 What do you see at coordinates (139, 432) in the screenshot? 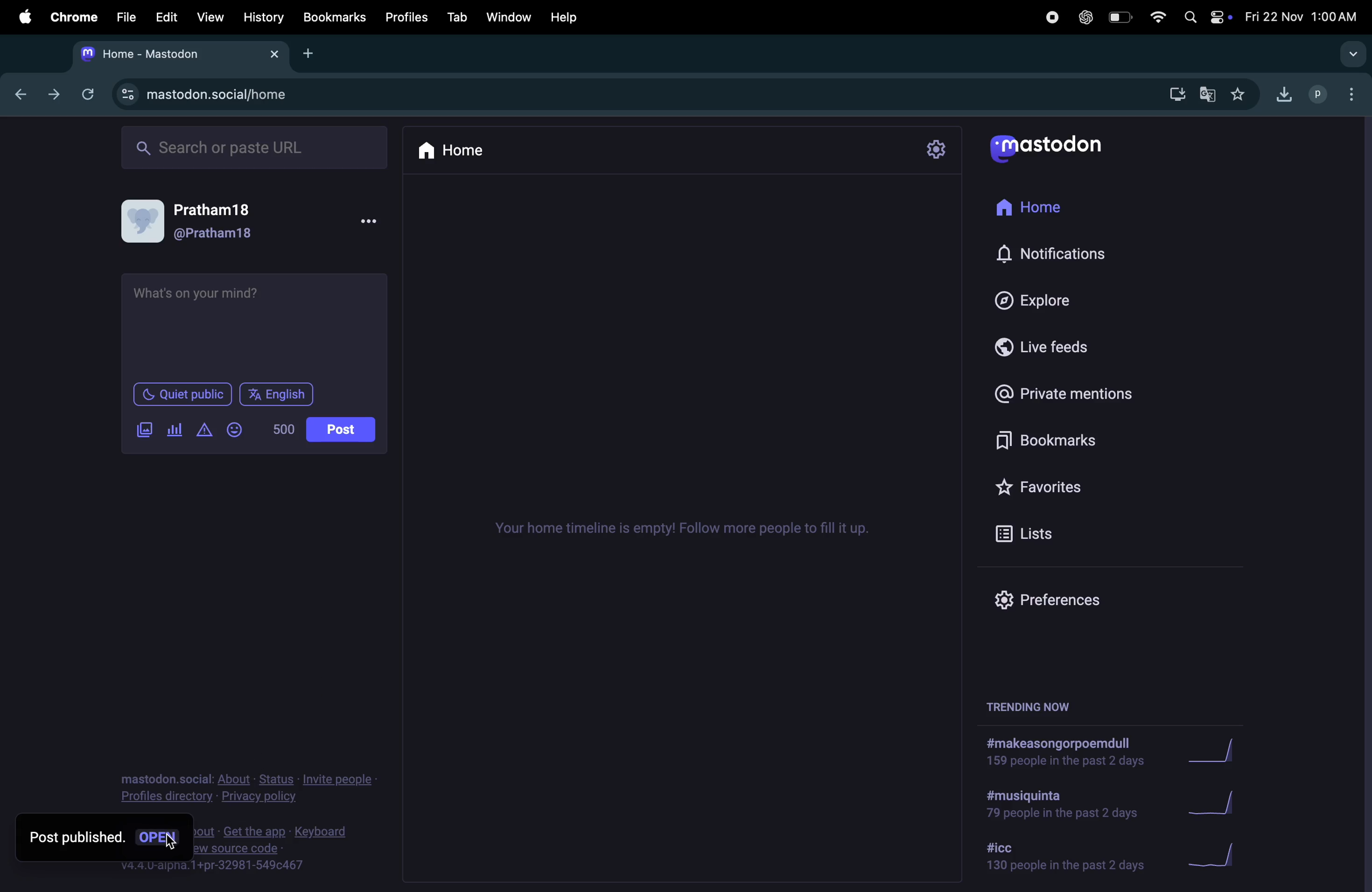
I see `add images` at bounding box center [139, 432].